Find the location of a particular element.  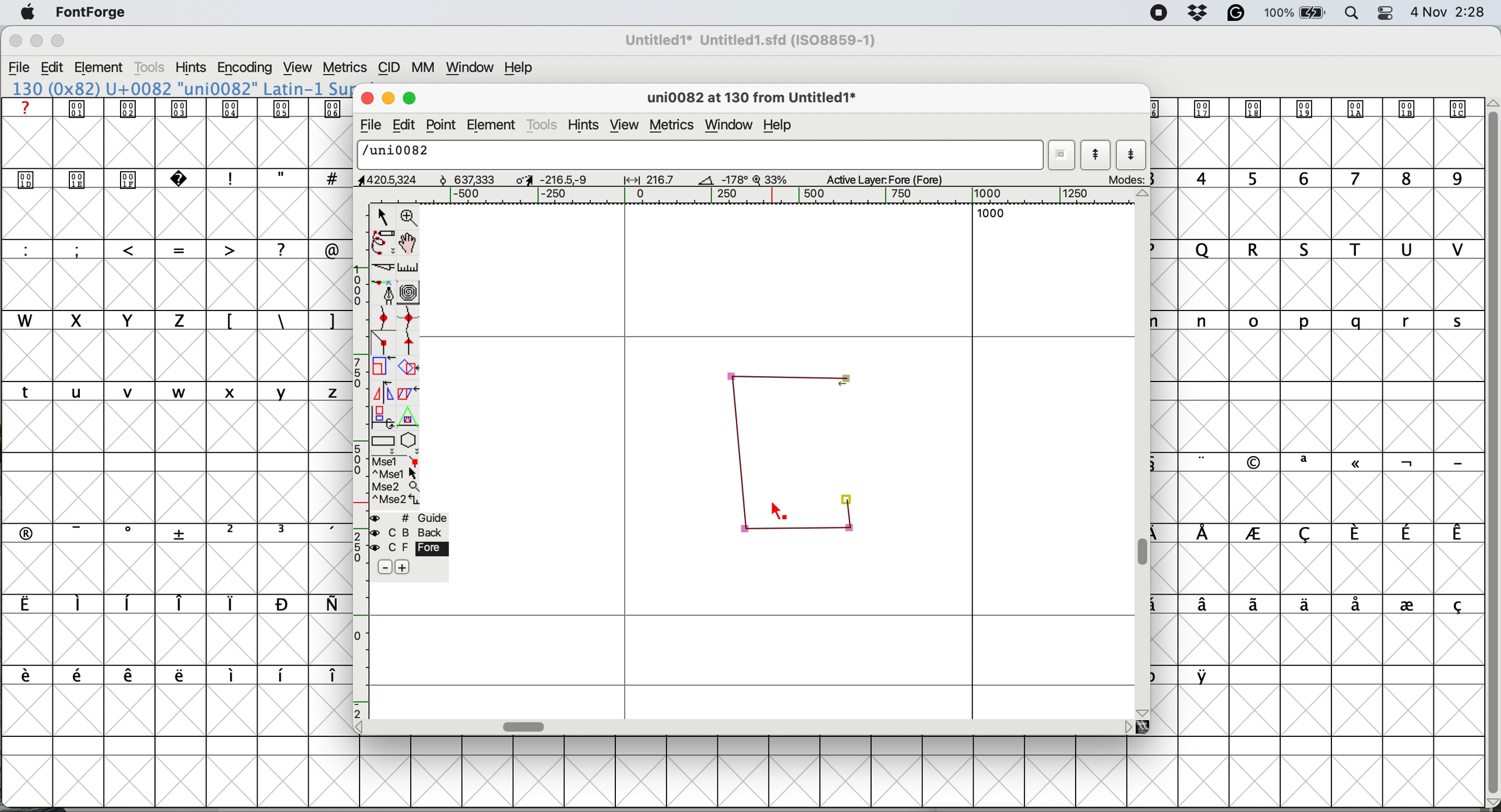

mode is located at coordinates (1124, 179).